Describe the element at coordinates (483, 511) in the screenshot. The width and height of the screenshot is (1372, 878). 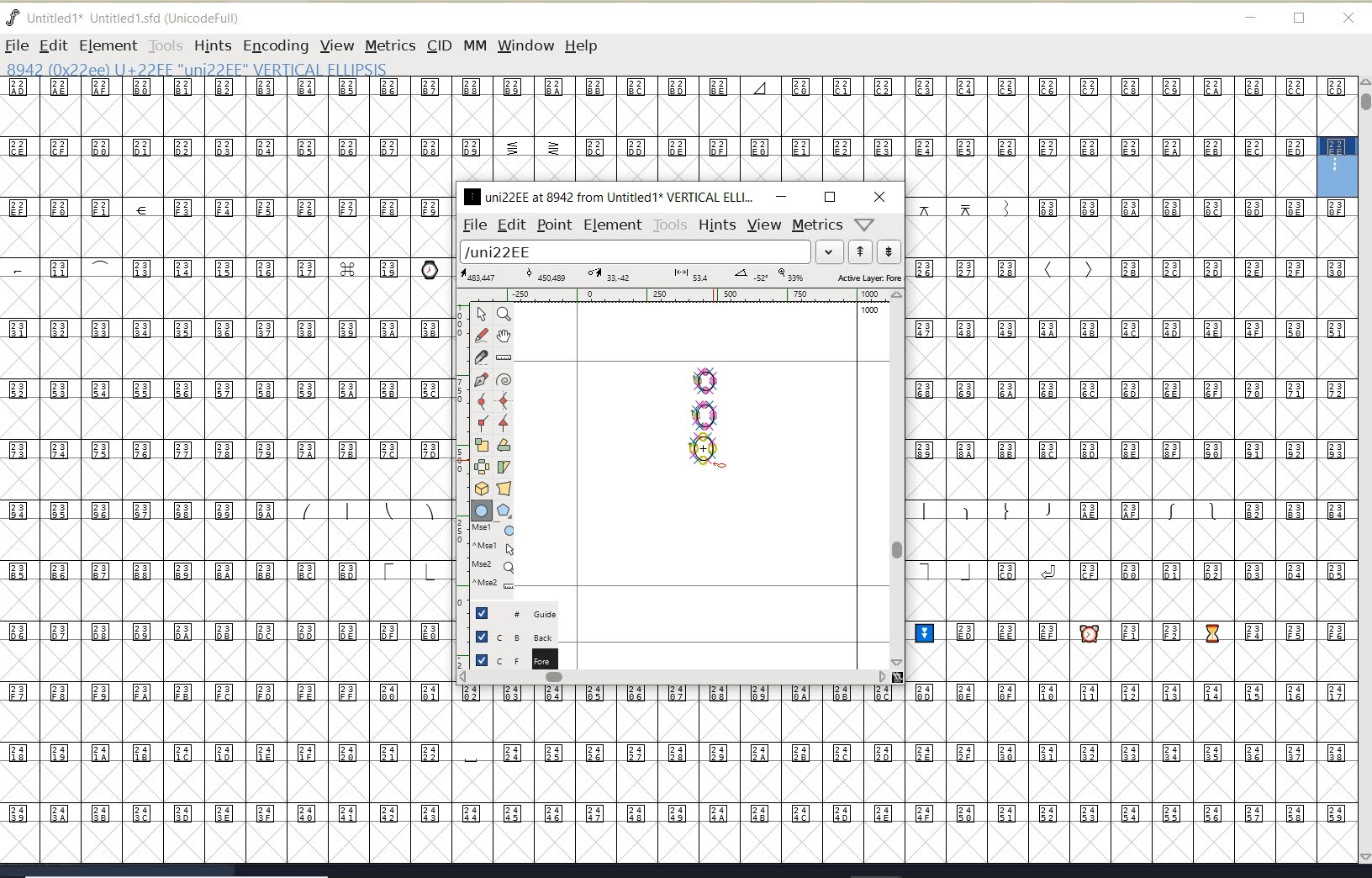
I see `rectangle or ellipse` at that location.